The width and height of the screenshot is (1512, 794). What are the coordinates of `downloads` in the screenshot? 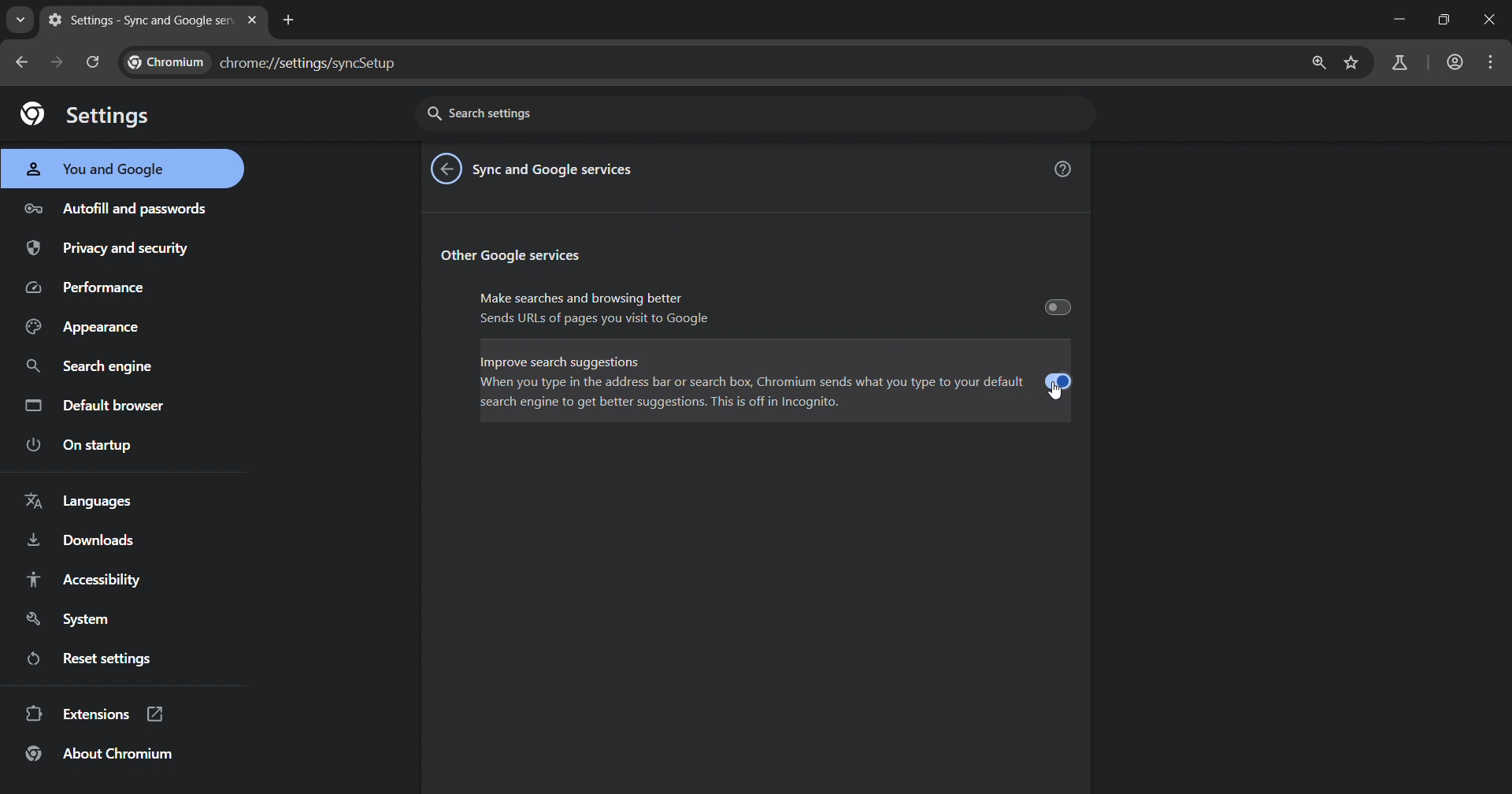 It's located at (85, 540).